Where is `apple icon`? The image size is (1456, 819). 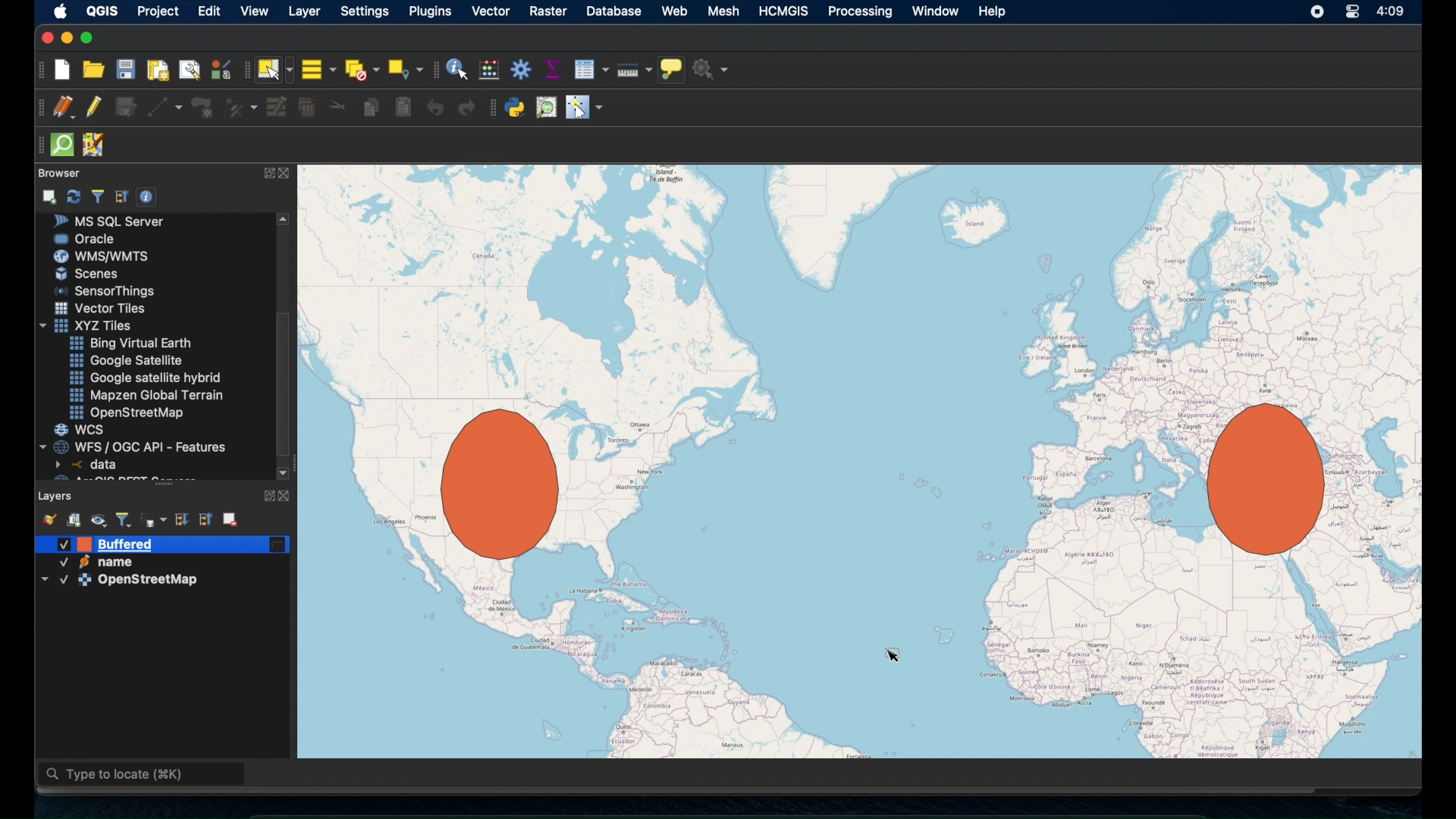 apple icon is located at coordinates (58, 11).